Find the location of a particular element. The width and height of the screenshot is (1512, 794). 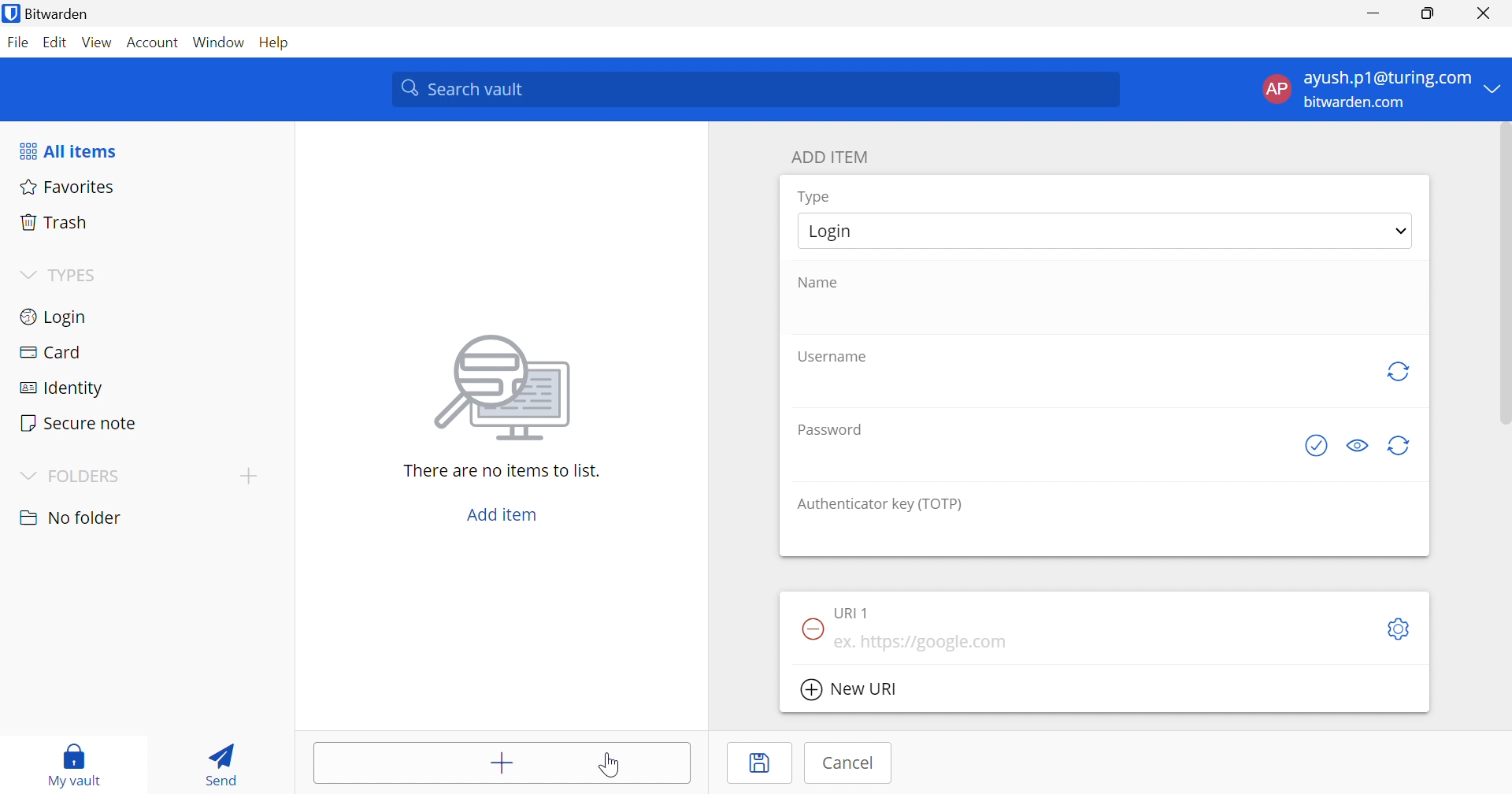

Drop Down is located at coordinates (27, 275).